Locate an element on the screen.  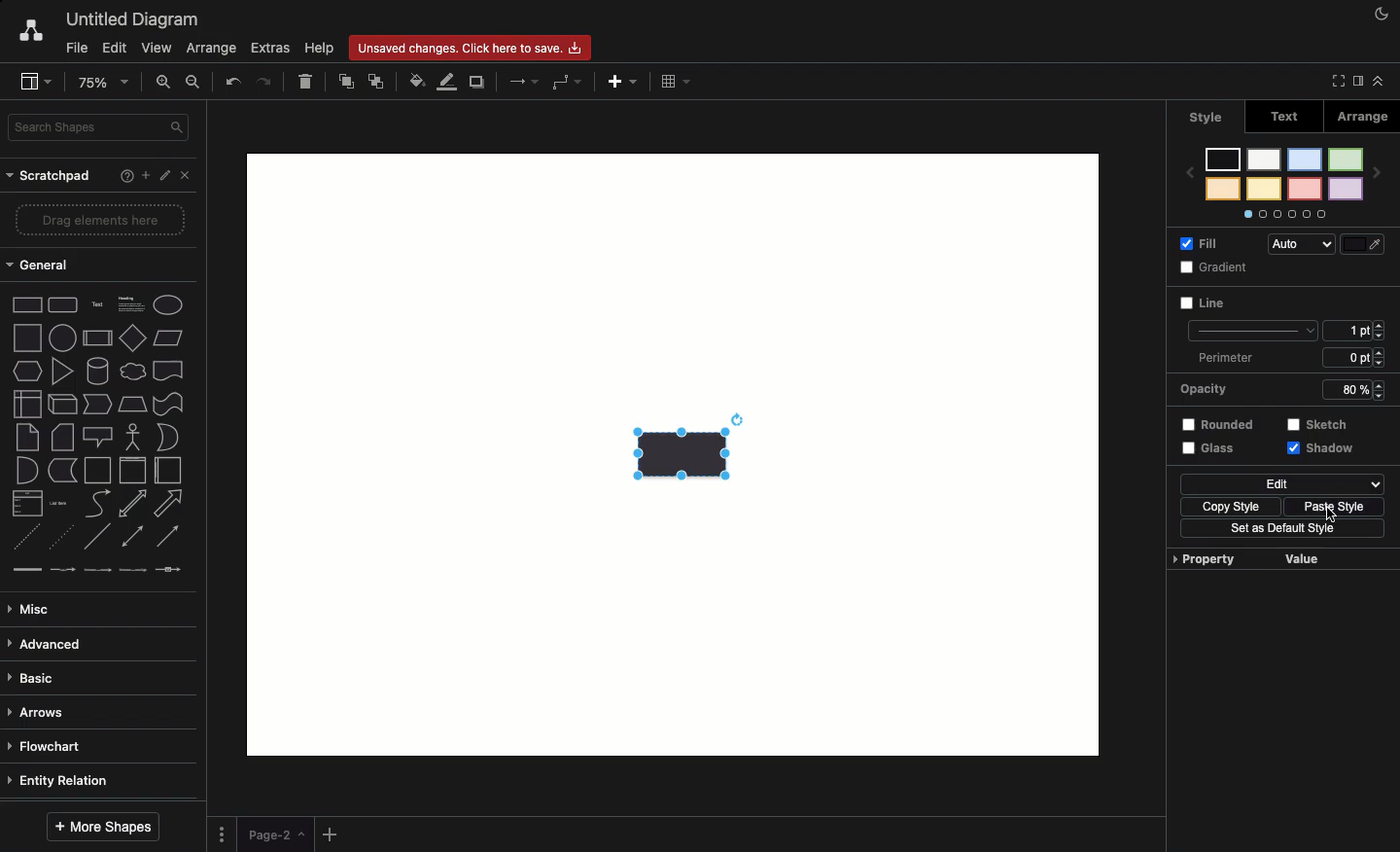
arrow is located at coordinates (169, 506).